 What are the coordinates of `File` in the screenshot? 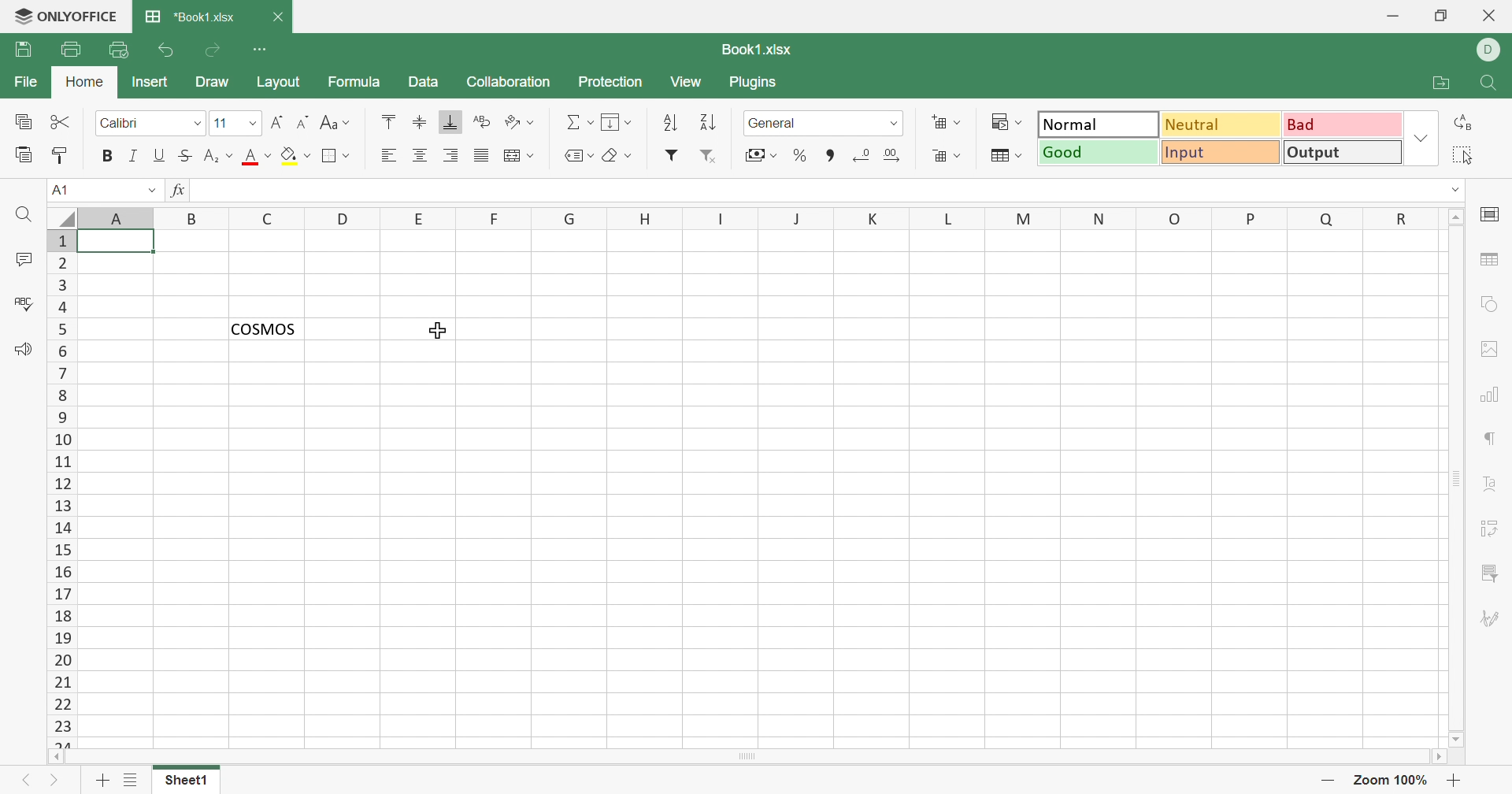 It's located at (27, 82).